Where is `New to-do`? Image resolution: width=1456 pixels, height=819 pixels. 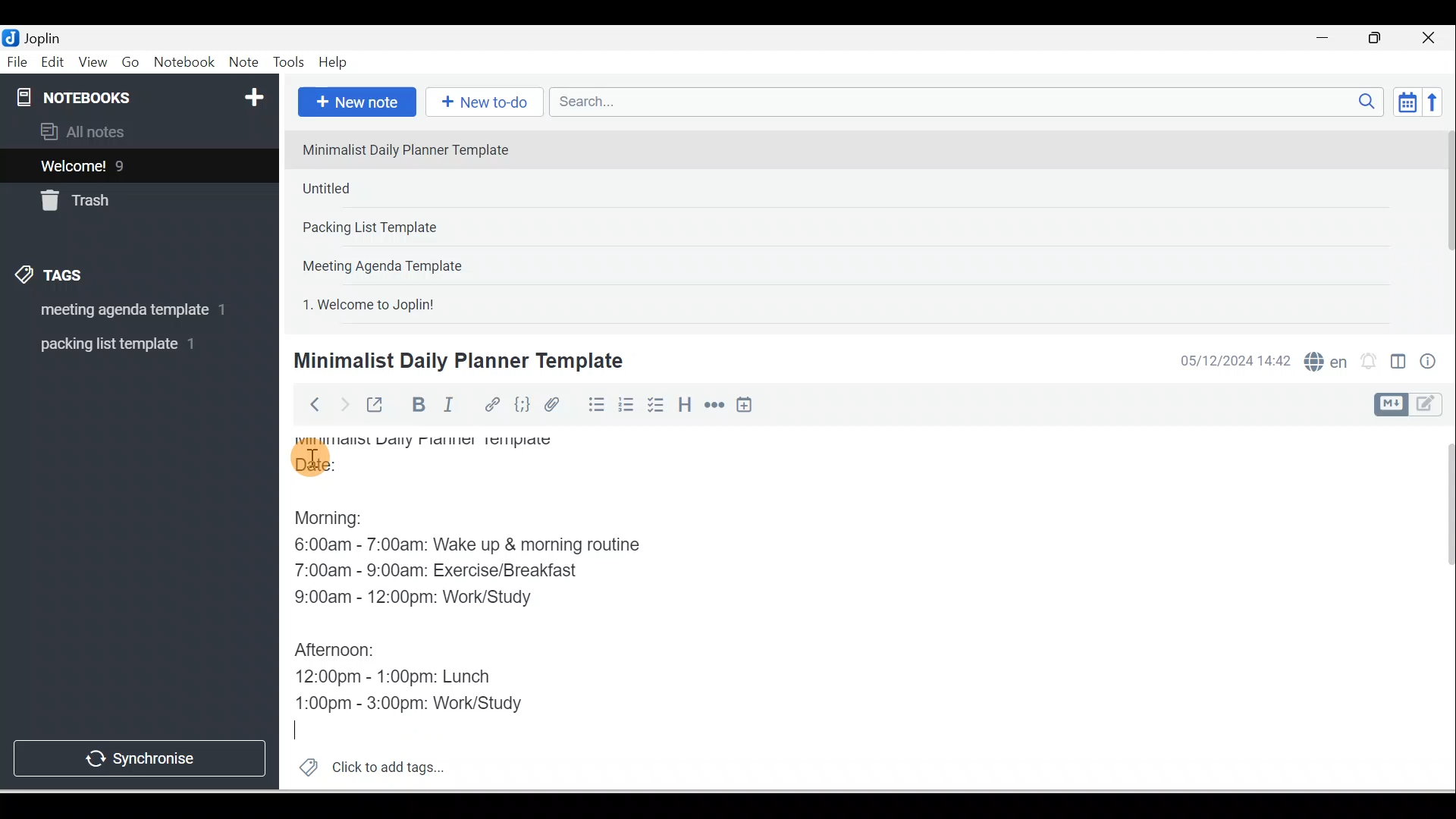
New to-do is located at coordinates (481, 103).